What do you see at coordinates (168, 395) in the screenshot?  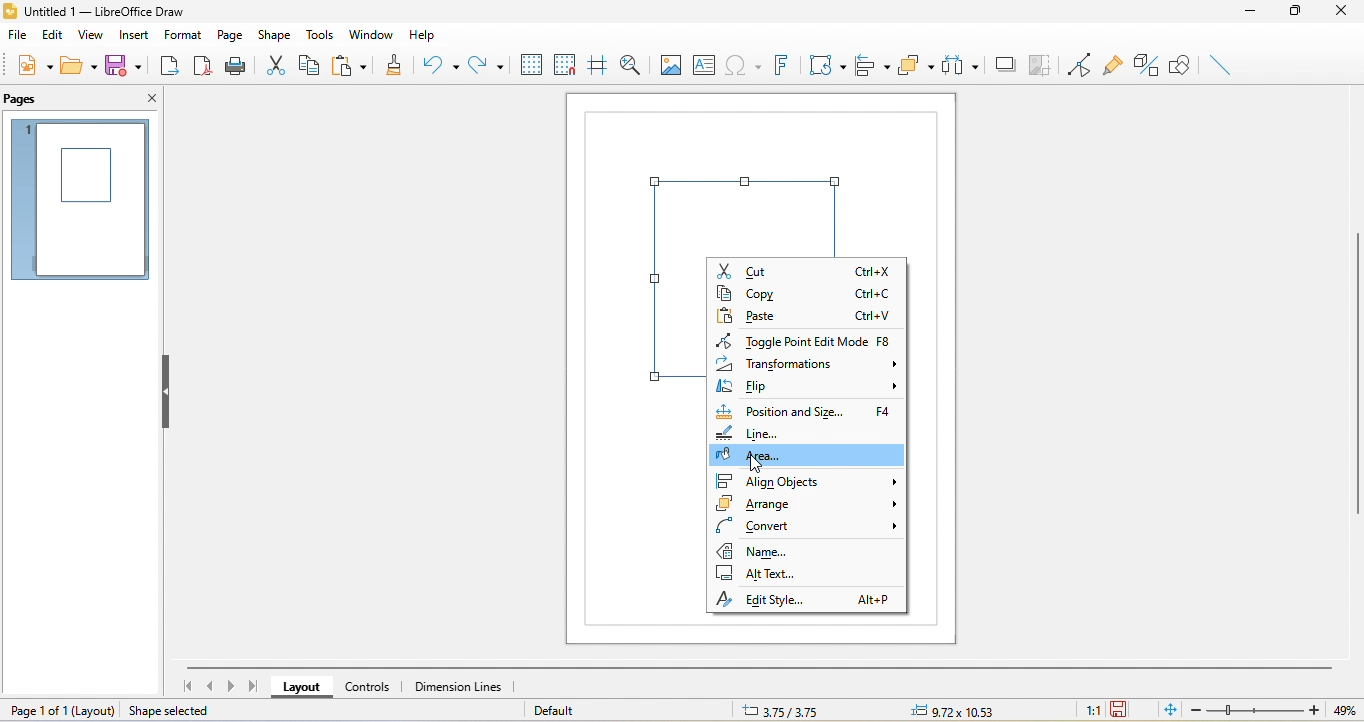 I see `hide` at bounding box center [168, 395].